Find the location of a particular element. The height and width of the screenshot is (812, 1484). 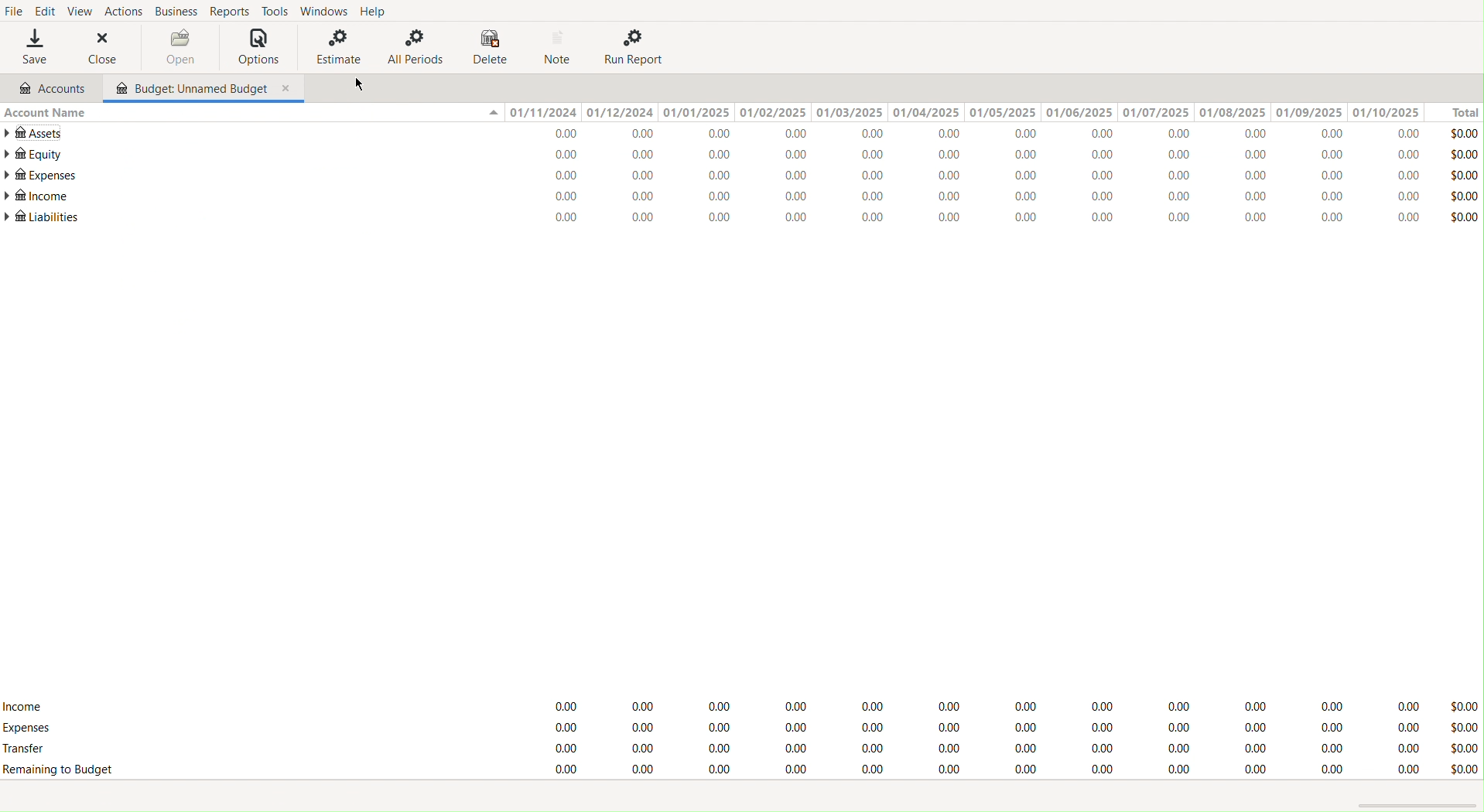

Total Values is located at coordinates (1462, 737).